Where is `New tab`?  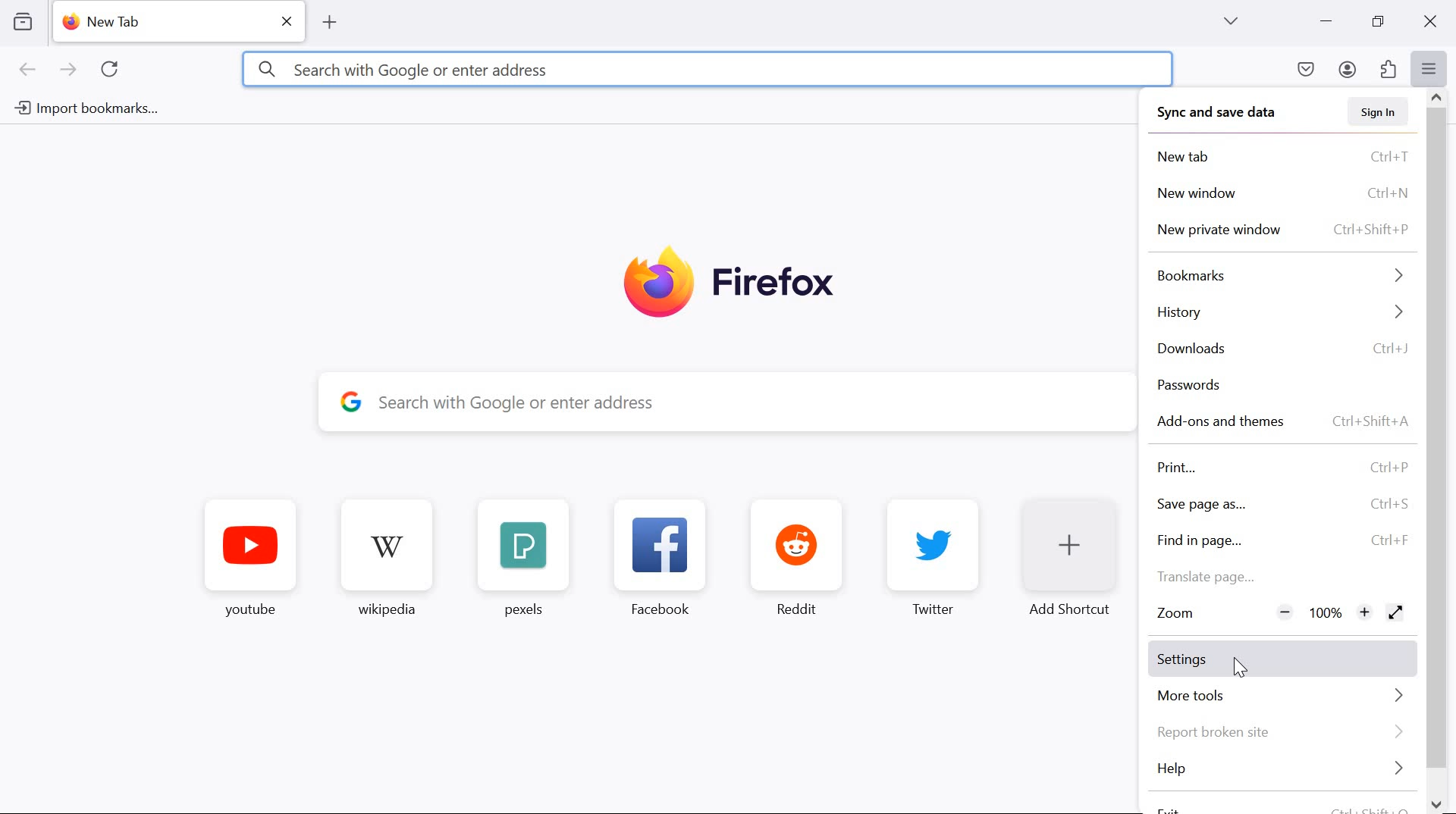 New tab is located at coordinates (1282, 159).